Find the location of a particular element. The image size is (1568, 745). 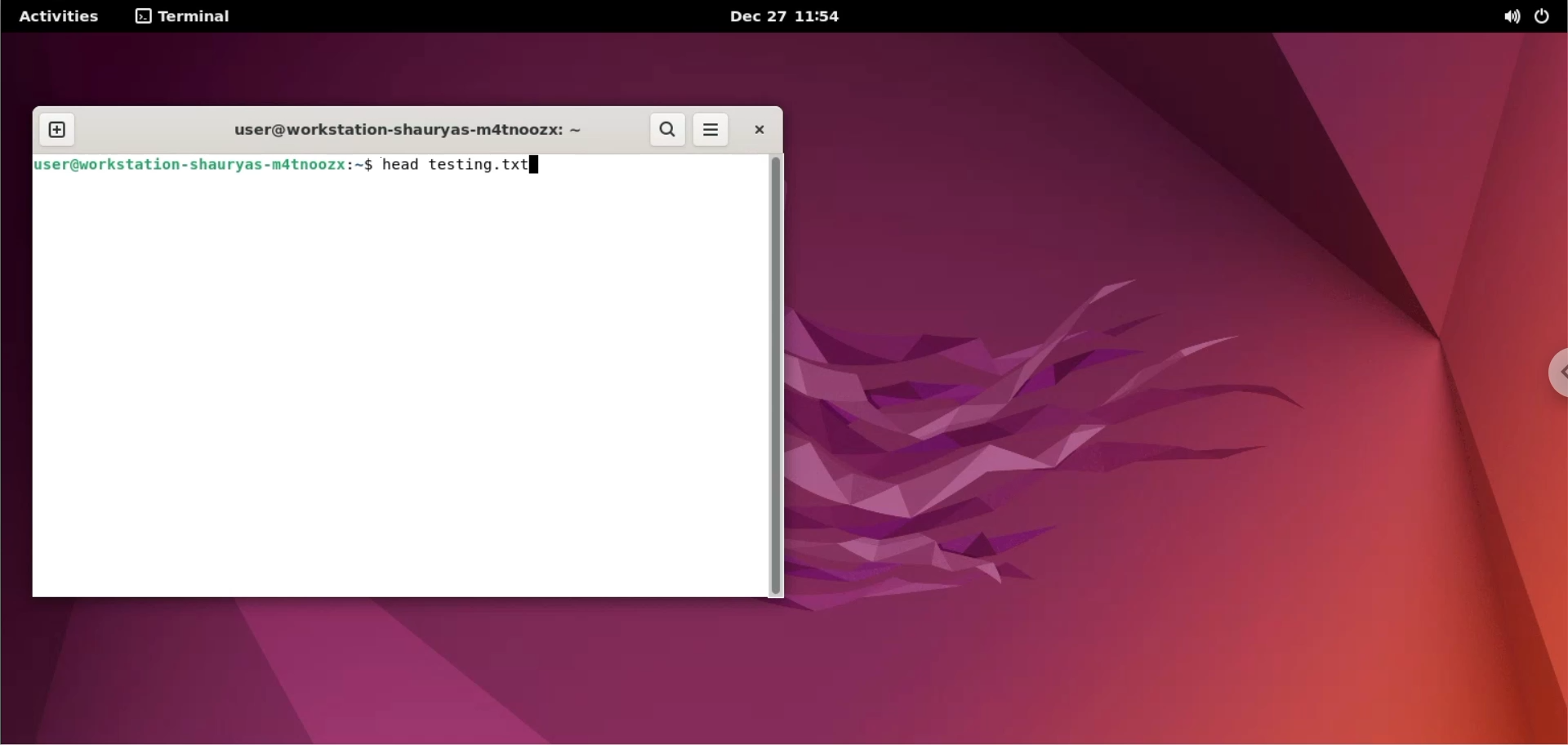

chrome options is located at coordinates (1553, 373).